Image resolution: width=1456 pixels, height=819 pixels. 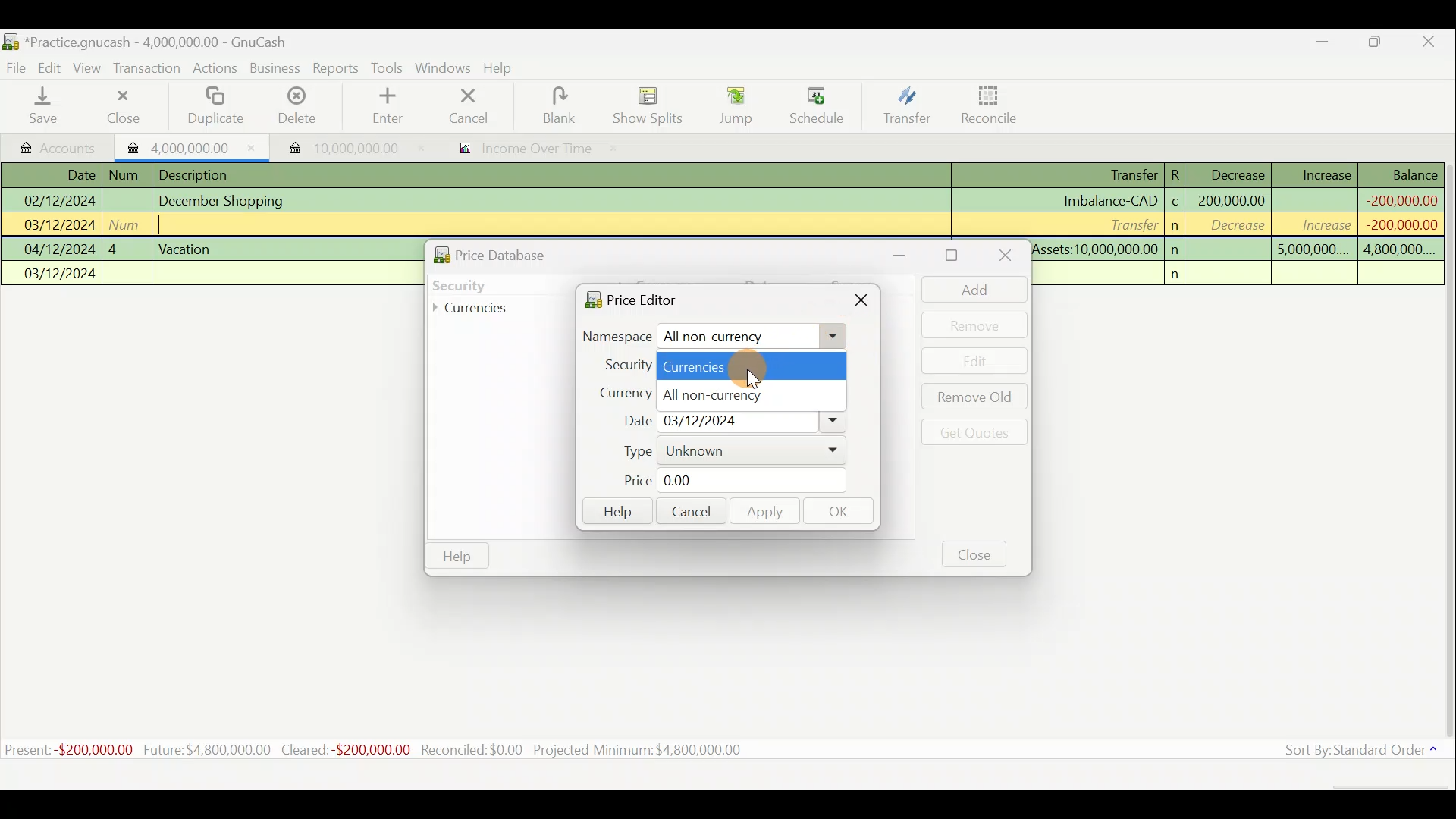 I want to click on -200,000,000, so click(x=1399, y=199).